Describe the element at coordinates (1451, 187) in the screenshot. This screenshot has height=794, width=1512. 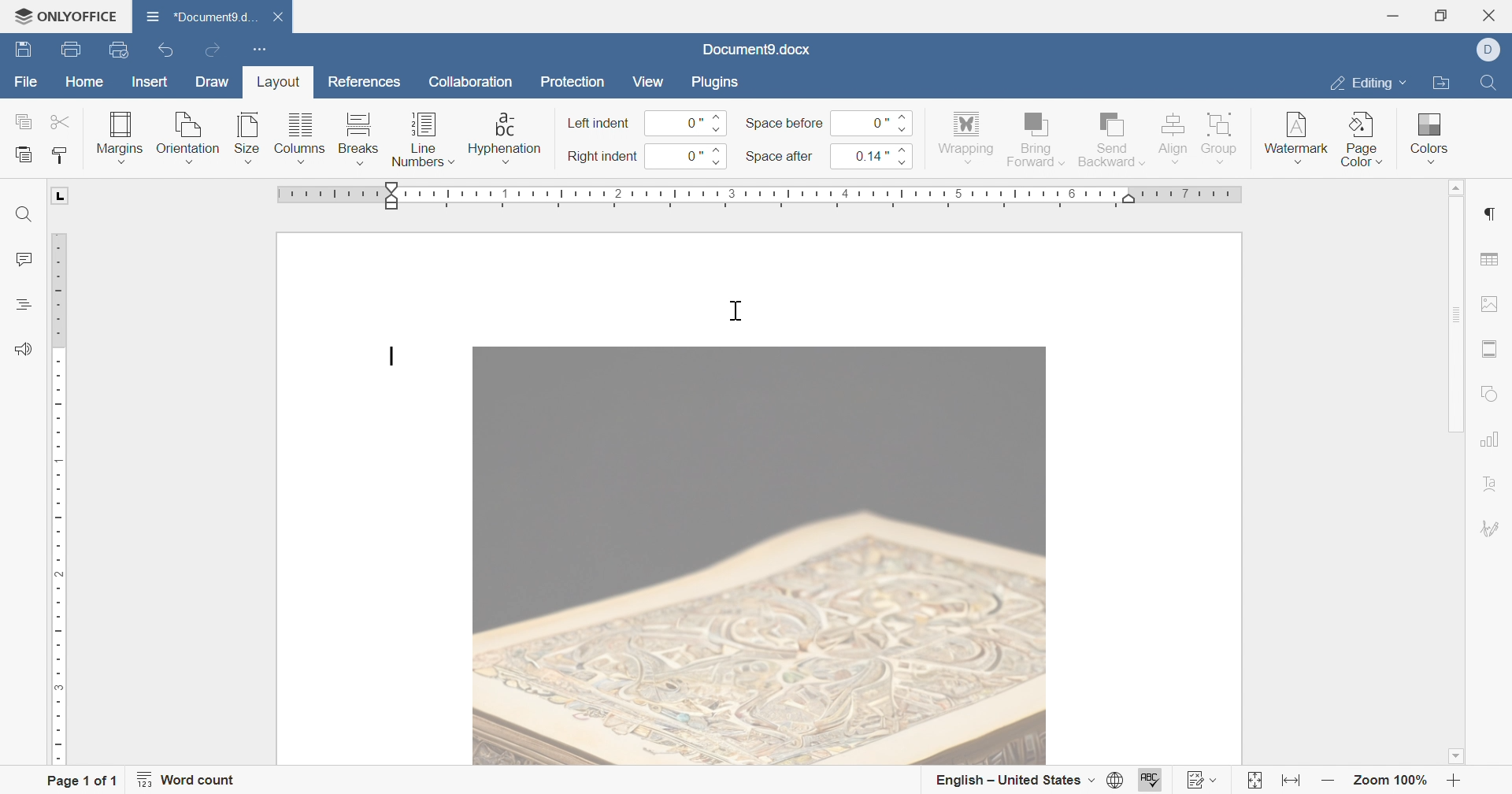
I see `scroll up` at that location.